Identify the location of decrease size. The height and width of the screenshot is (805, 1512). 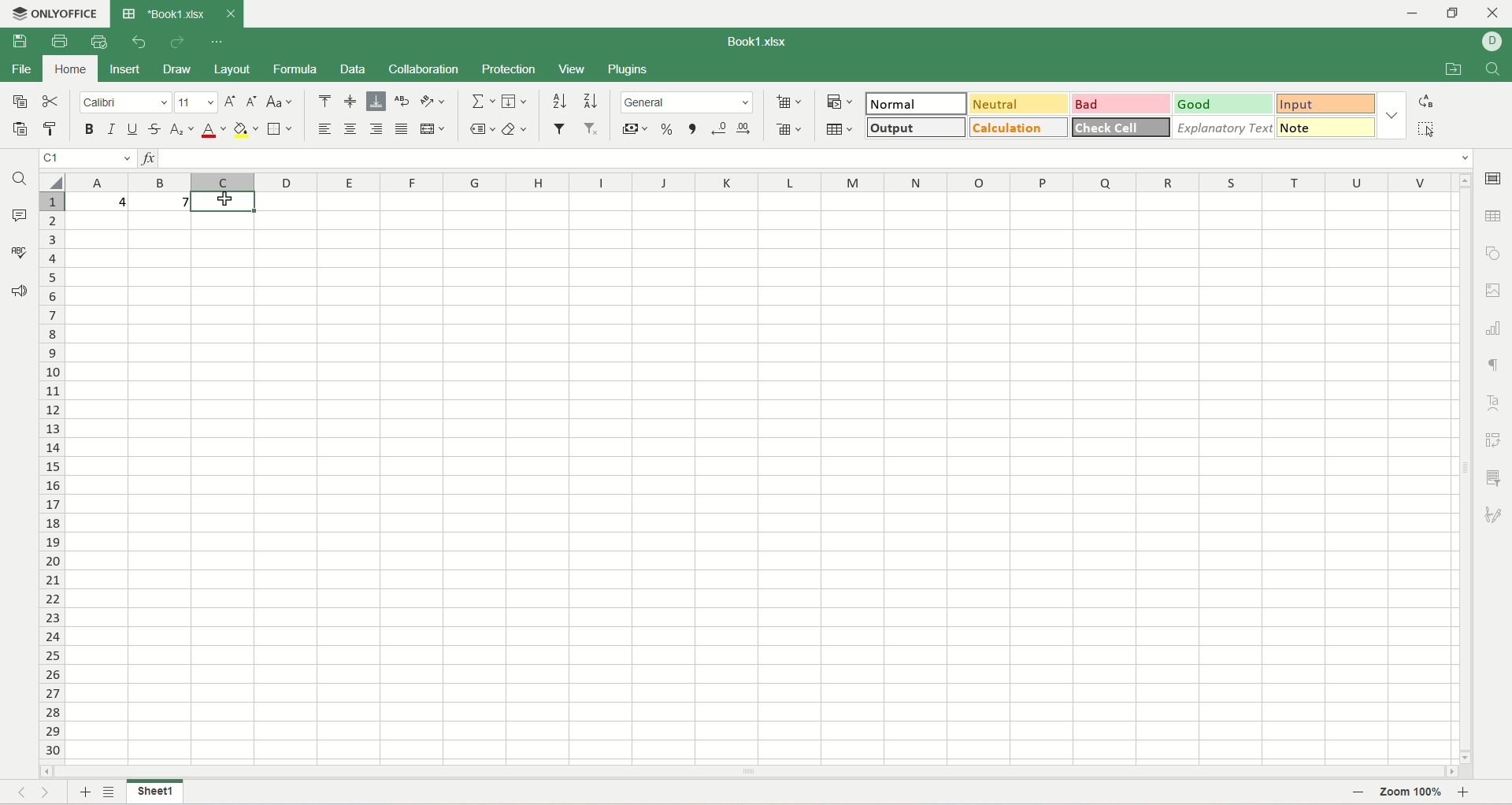
(252, 101).